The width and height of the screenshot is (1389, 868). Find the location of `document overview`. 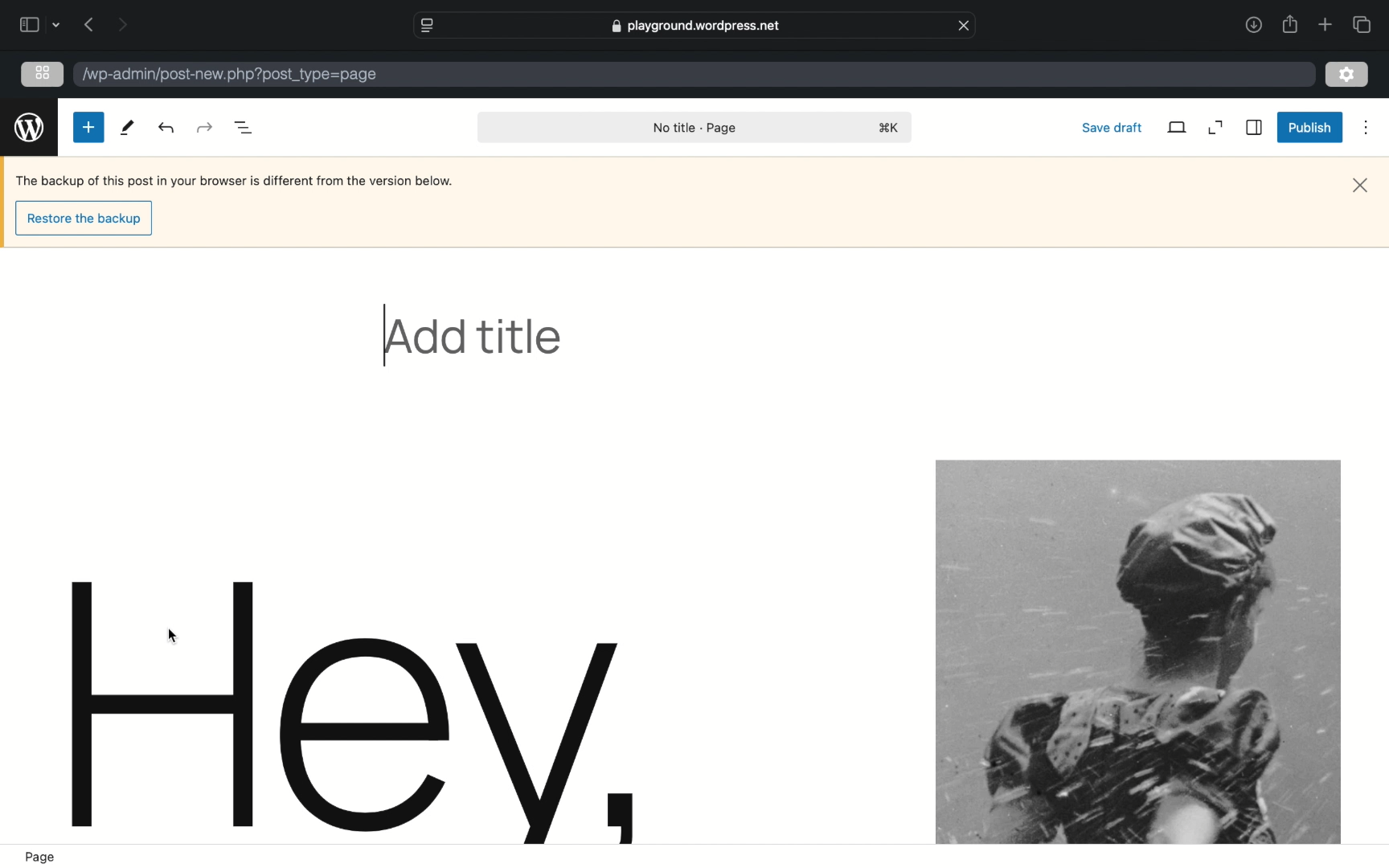

document overview is located at coordinates (244, 128).